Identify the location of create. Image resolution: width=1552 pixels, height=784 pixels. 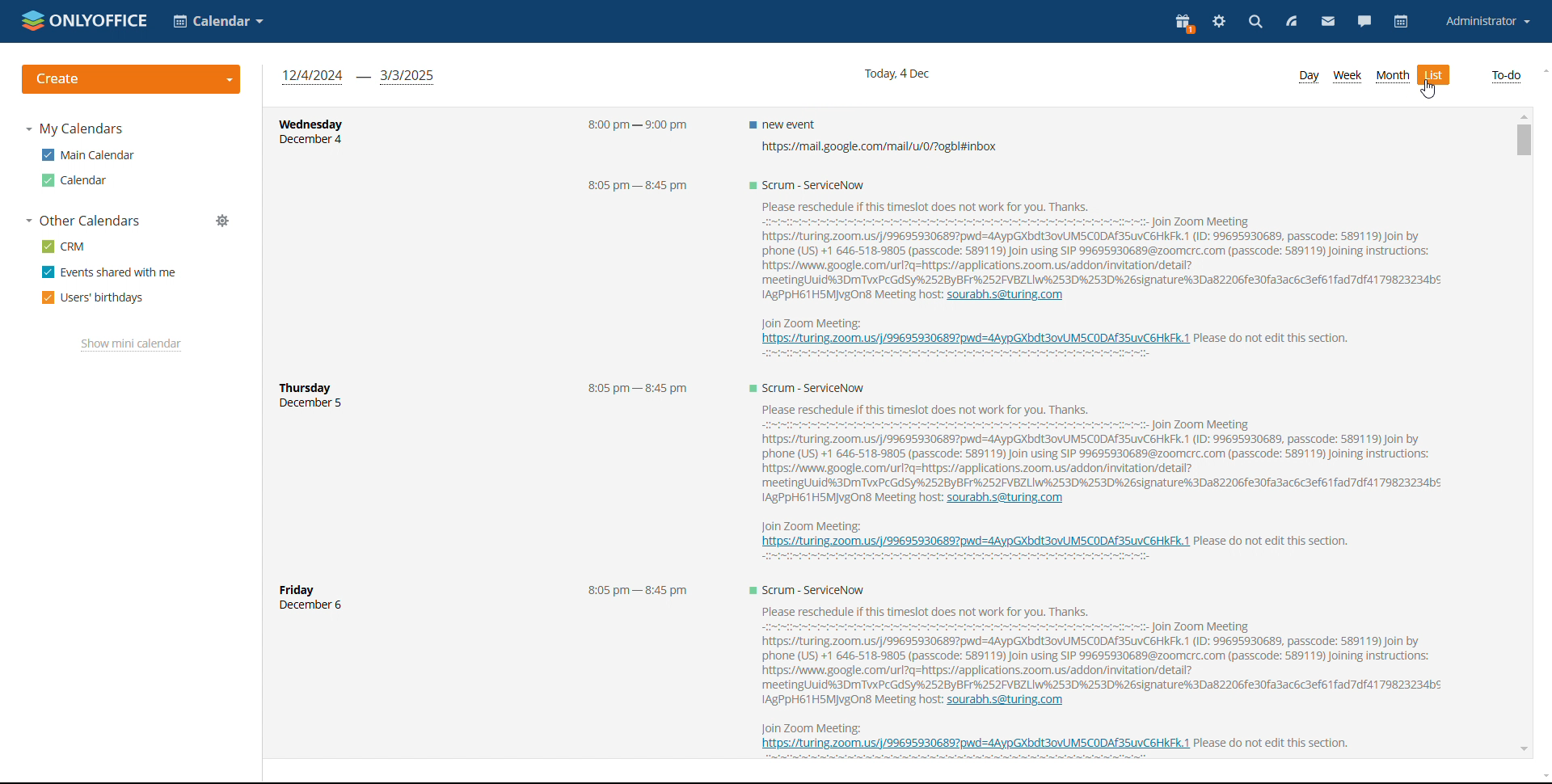
(133, 79).